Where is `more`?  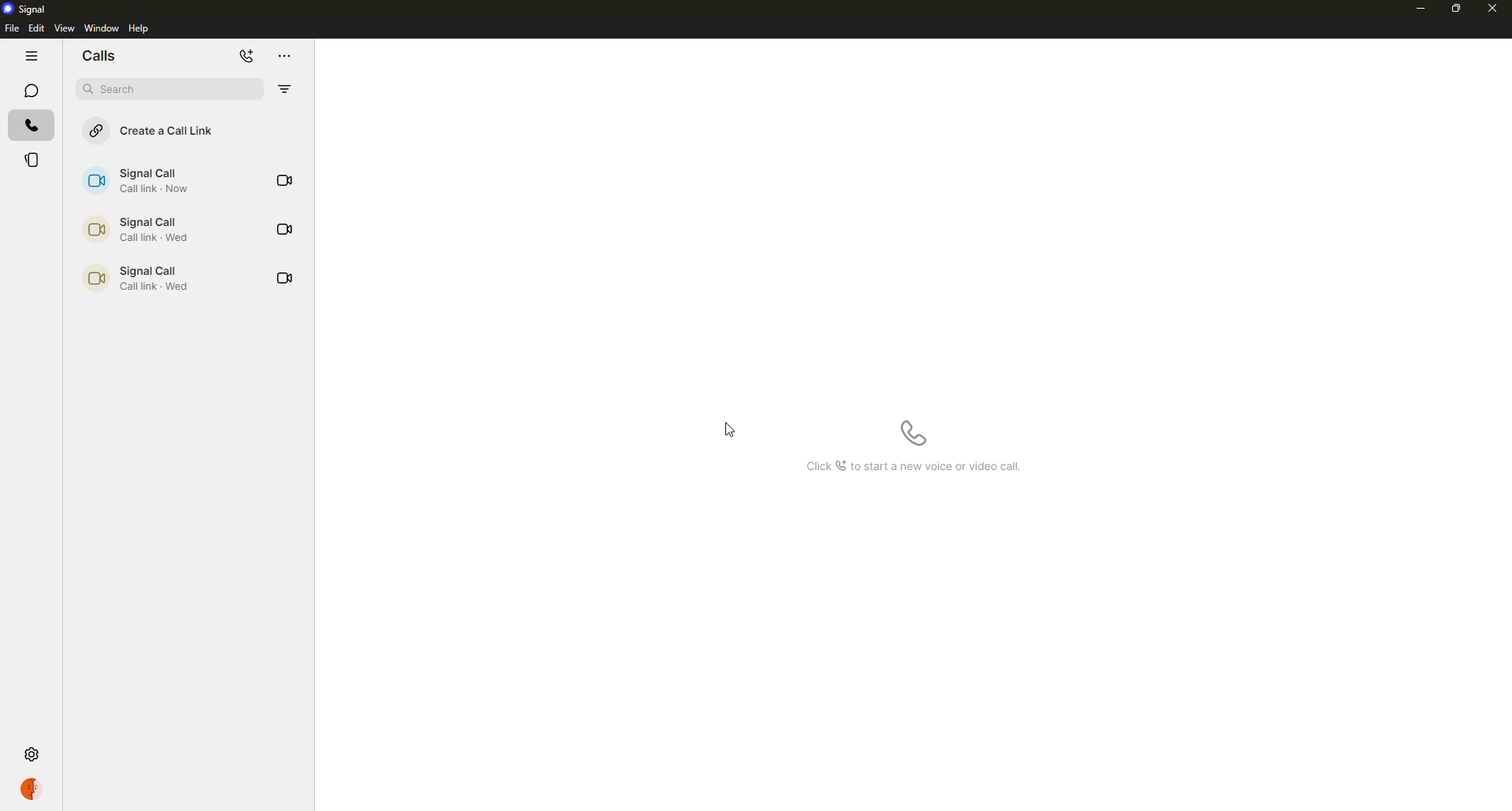
more is located at coordinates (288, 56).